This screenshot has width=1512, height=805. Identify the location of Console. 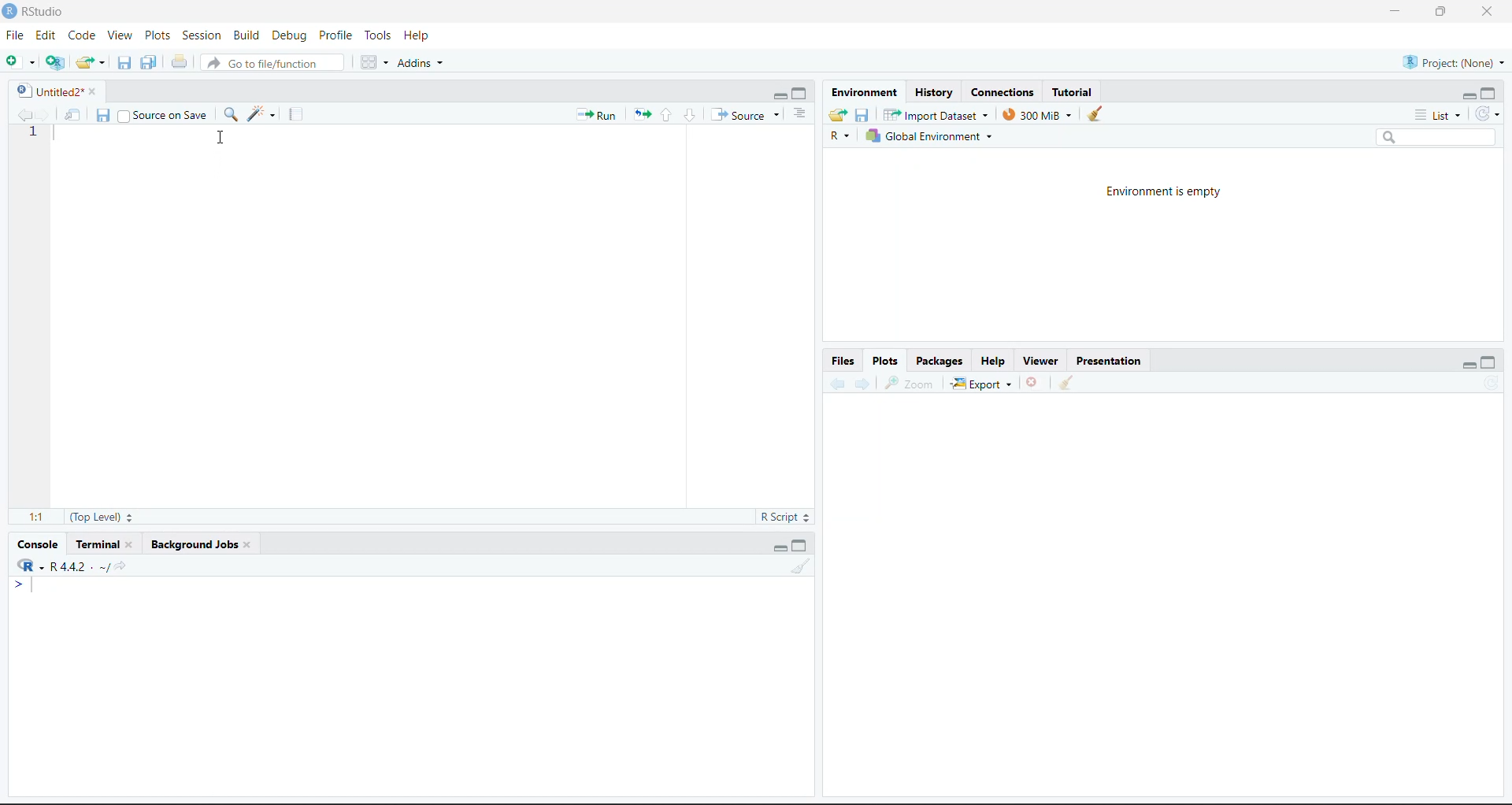
(37, 545).